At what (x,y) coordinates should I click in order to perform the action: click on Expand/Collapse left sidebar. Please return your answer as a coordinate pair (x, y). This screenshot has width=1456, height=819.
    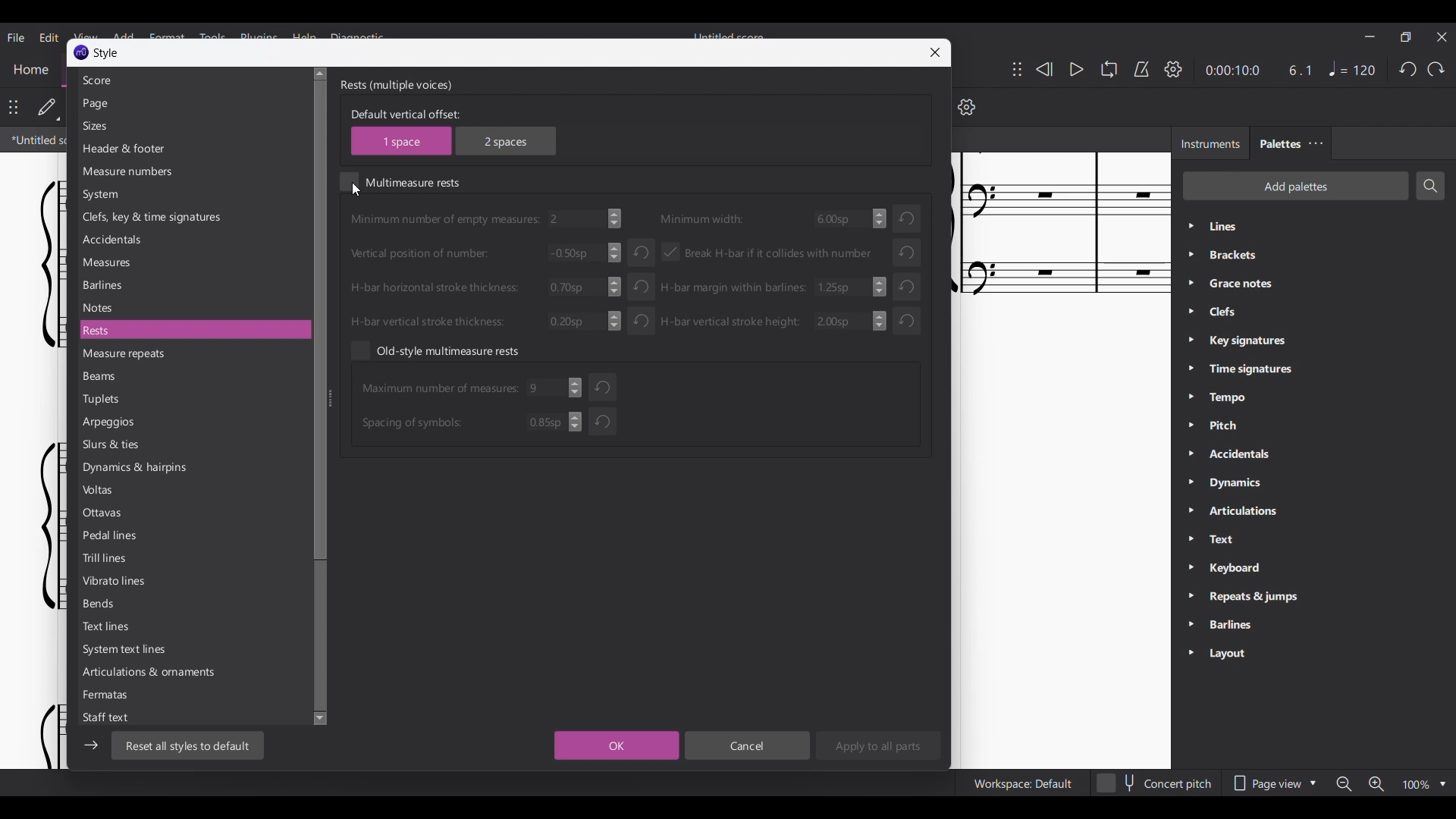
    Looking at the image, I should click on (90, 745).